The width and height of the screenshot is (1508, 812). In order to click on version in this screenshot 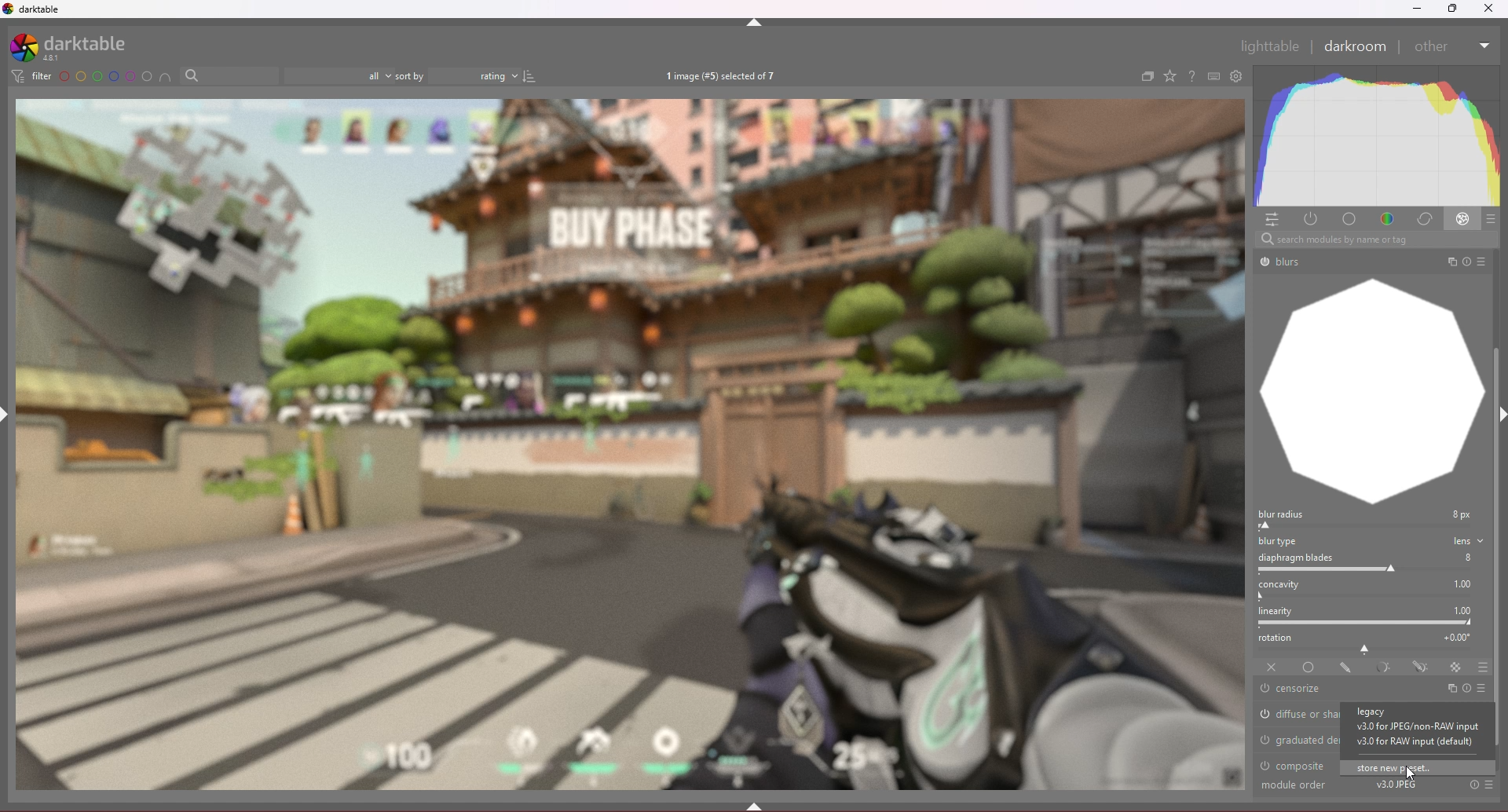, I will do `click(1414, 727)`.